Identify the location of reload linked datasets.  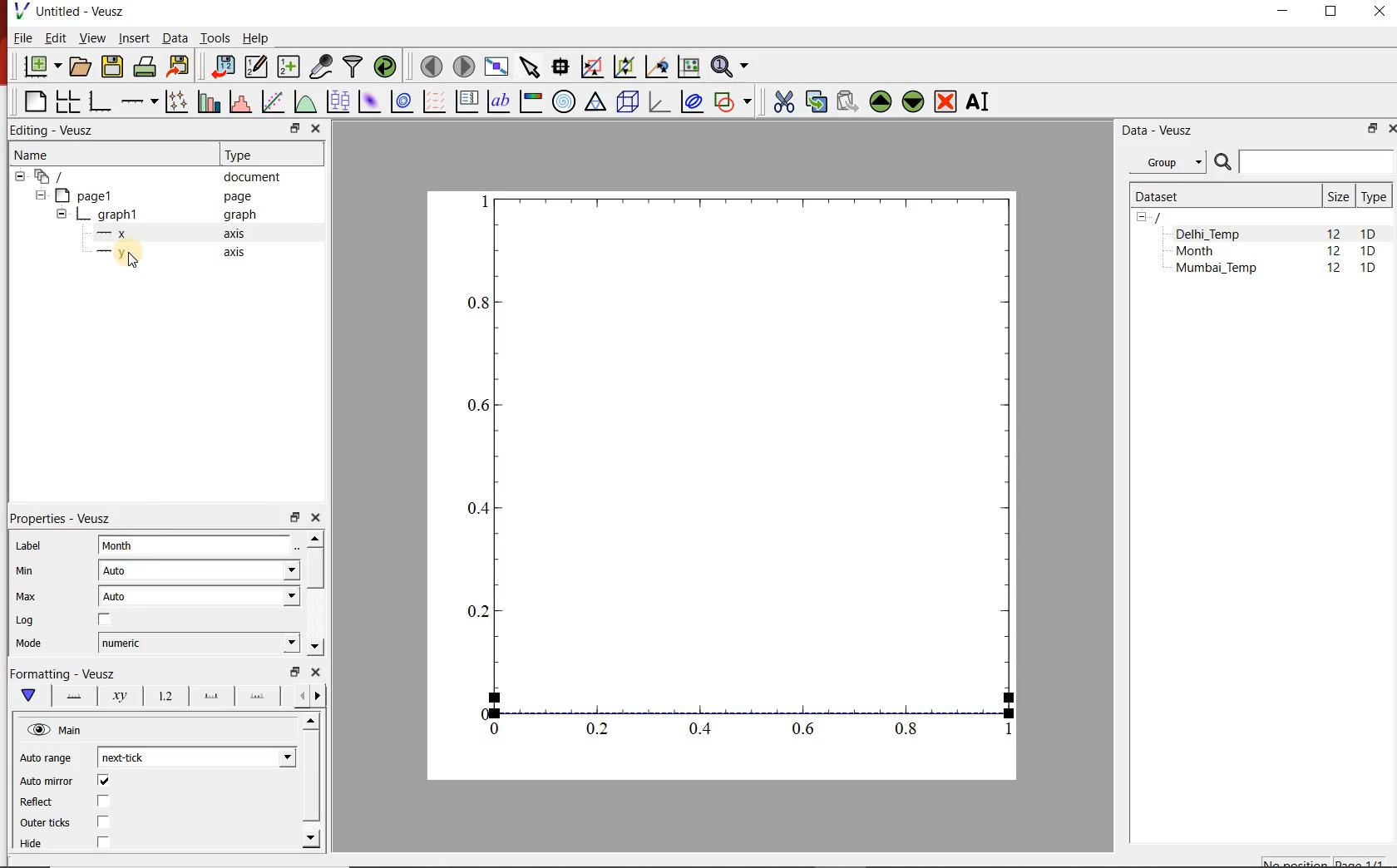
(385, 65).